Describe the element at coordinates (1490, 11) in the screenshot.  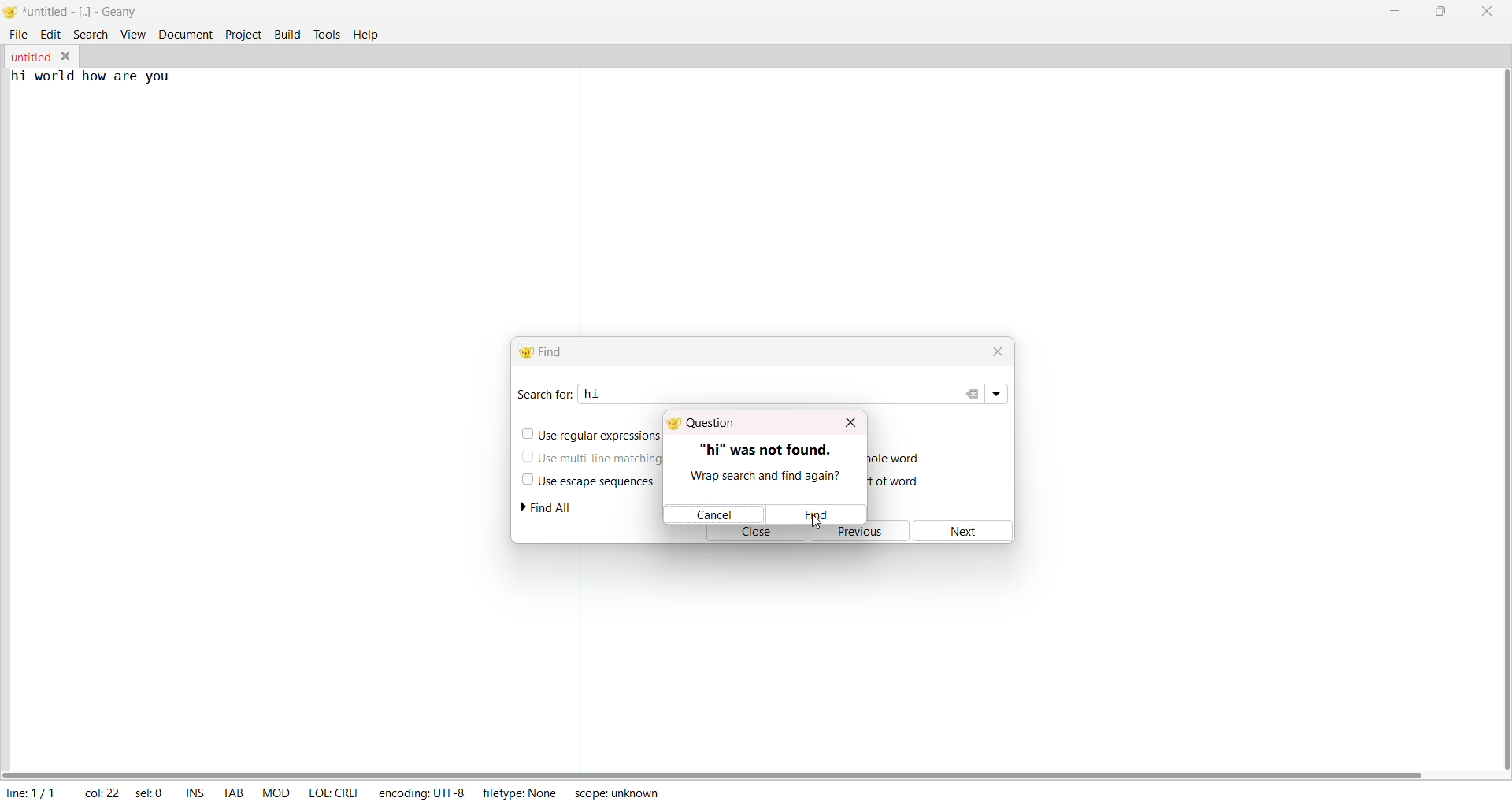
I see `close` at that location.